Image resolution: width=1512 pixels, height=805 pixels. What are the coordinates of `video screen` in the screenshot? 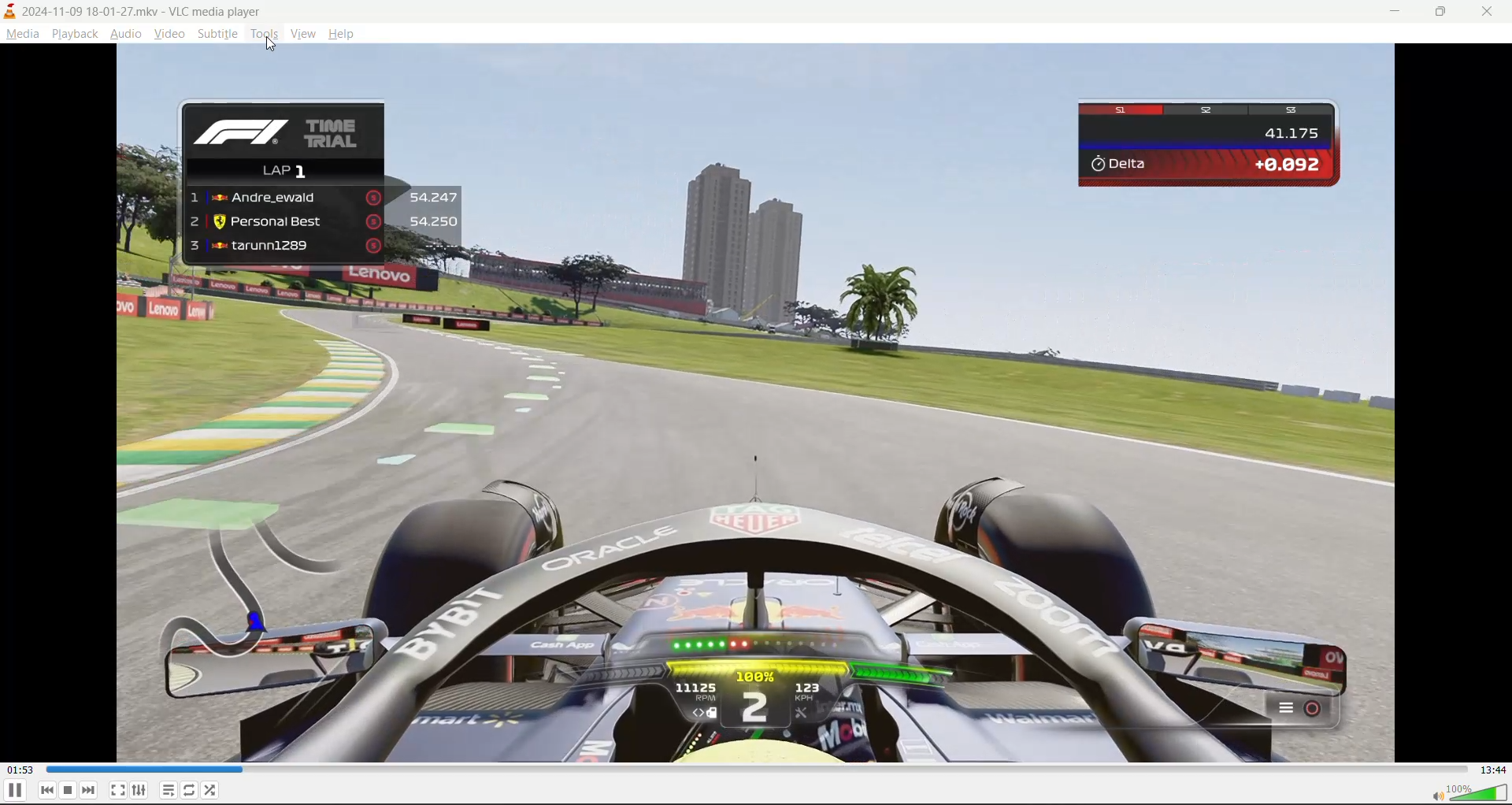 It's located at (756, 407).